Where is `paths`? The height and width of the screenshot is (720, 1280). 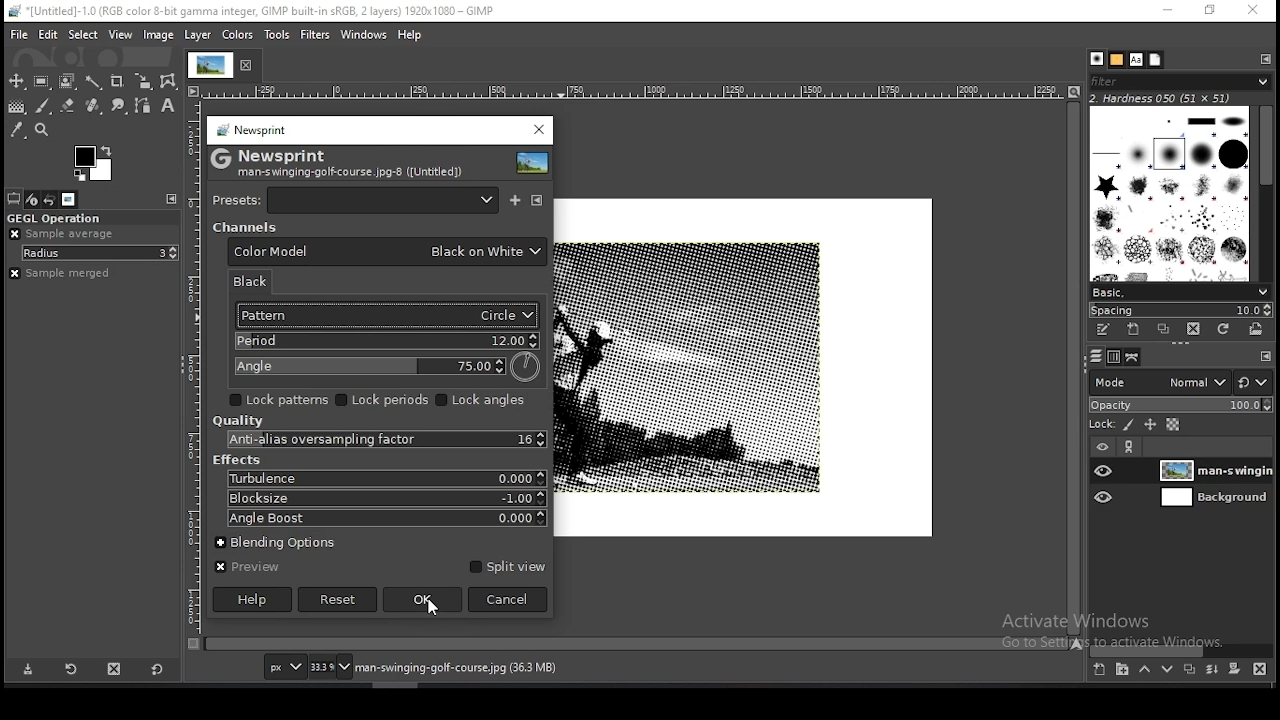
paths is located at coordinates (1134, 357).